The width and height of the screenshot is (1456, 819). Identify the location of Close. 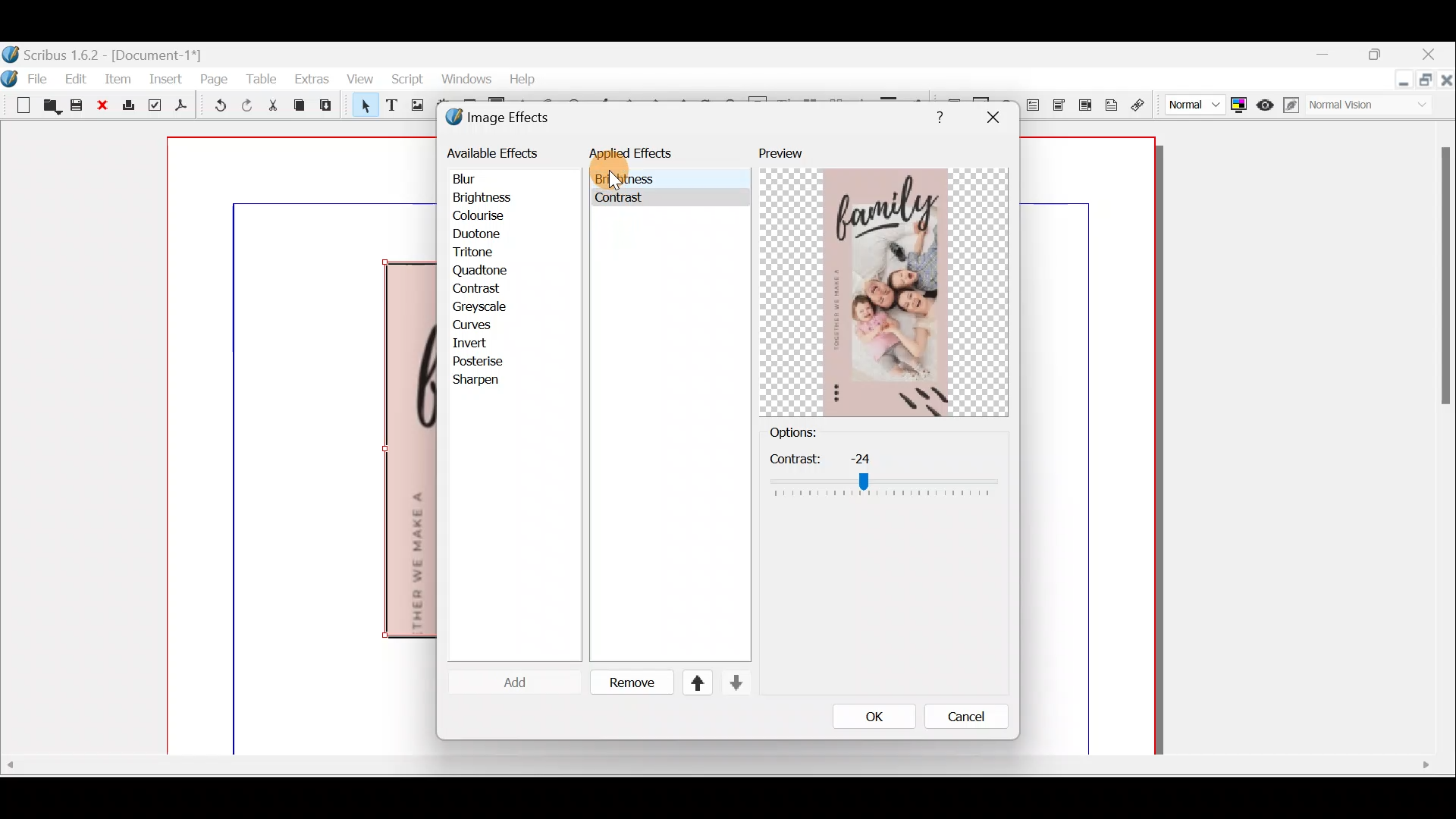
(1447, 83).